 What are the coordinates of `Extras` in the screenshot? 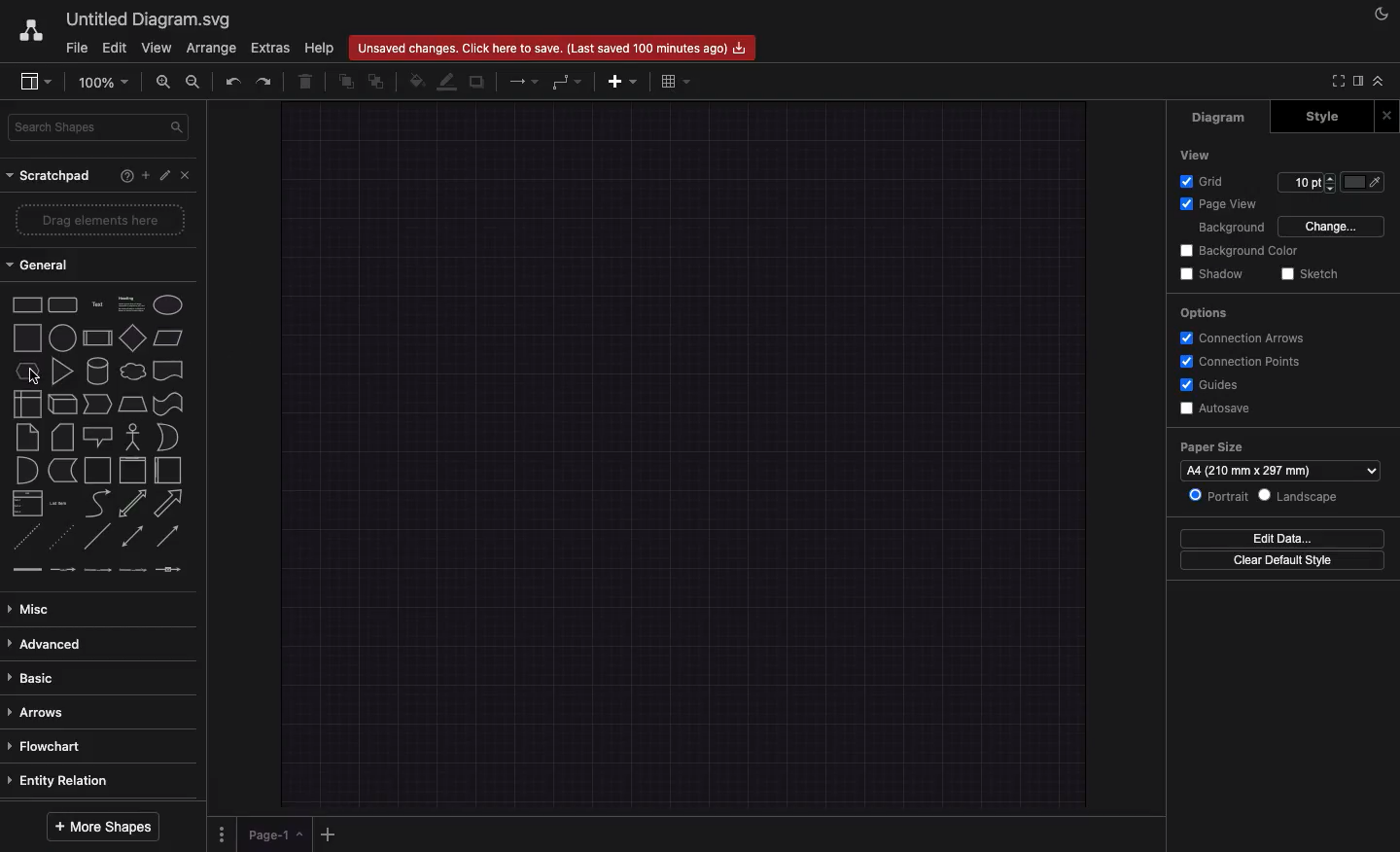 It's located at (271, 47).